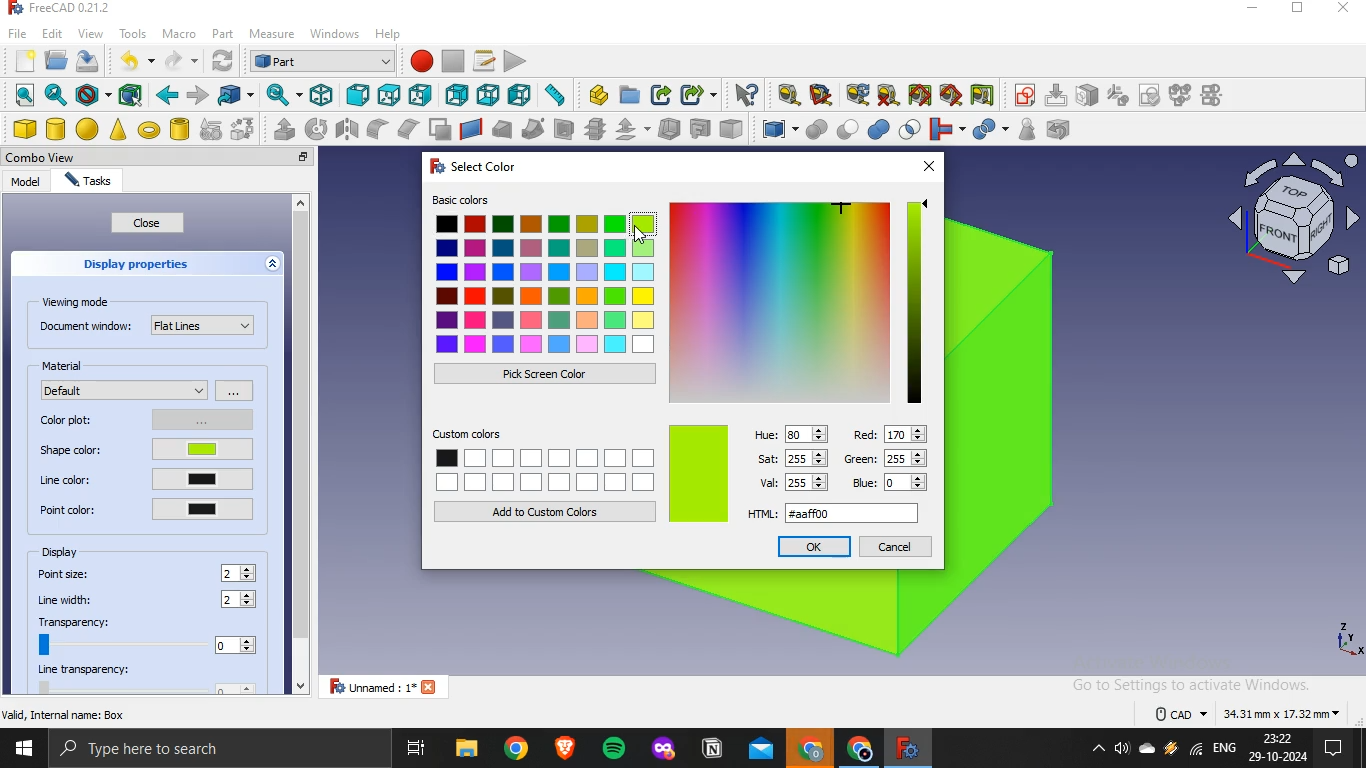 The image size is (1366, 768). What do you see at coordinates (879, 129) in the screenshot?
I see `union` at bounding box center [879, 129].